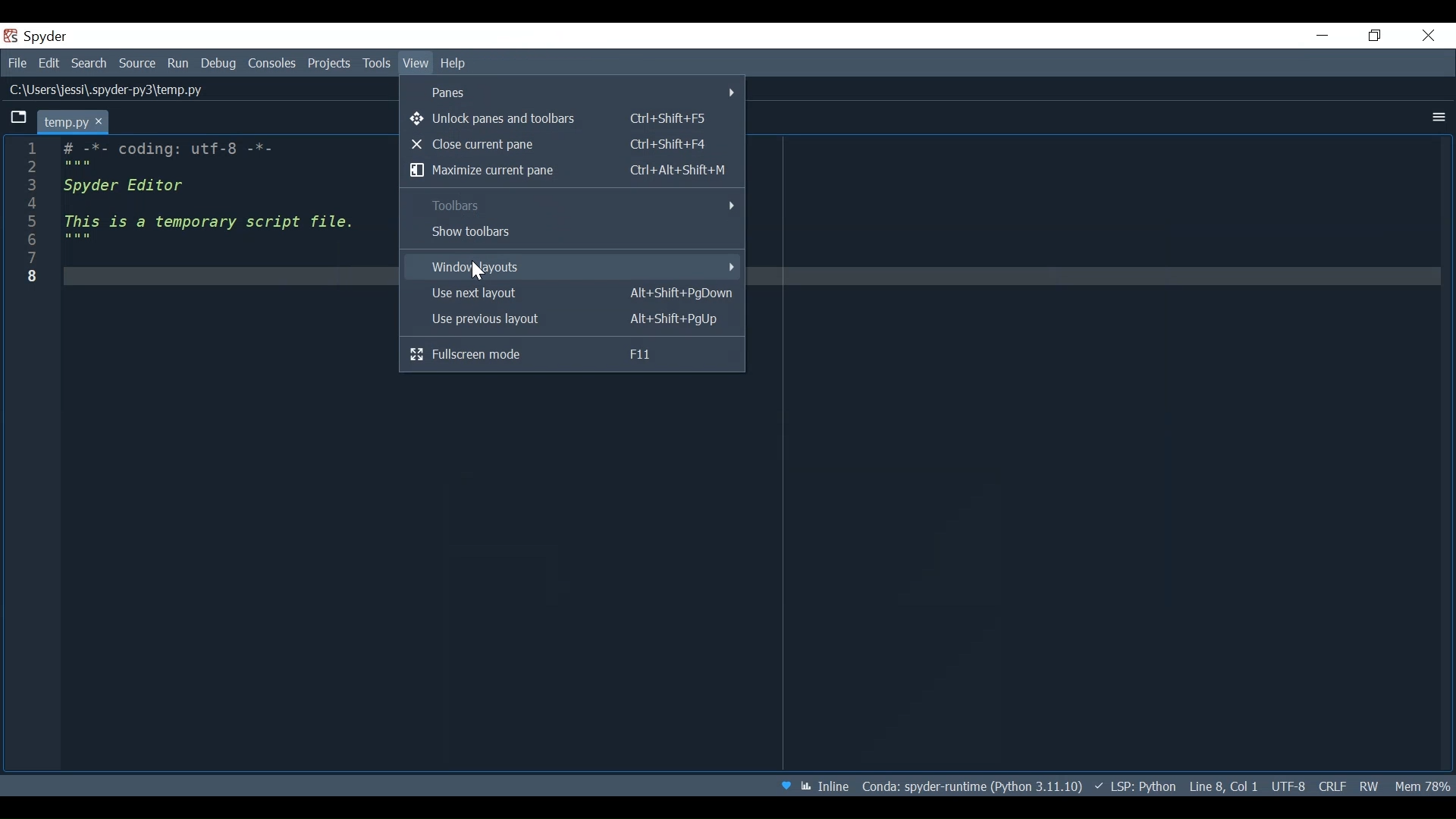 The height and width of the screenshot is (819, 1456). Describe the element at coordinates (457, 64) in the screenshot. I see `Help` at that location.